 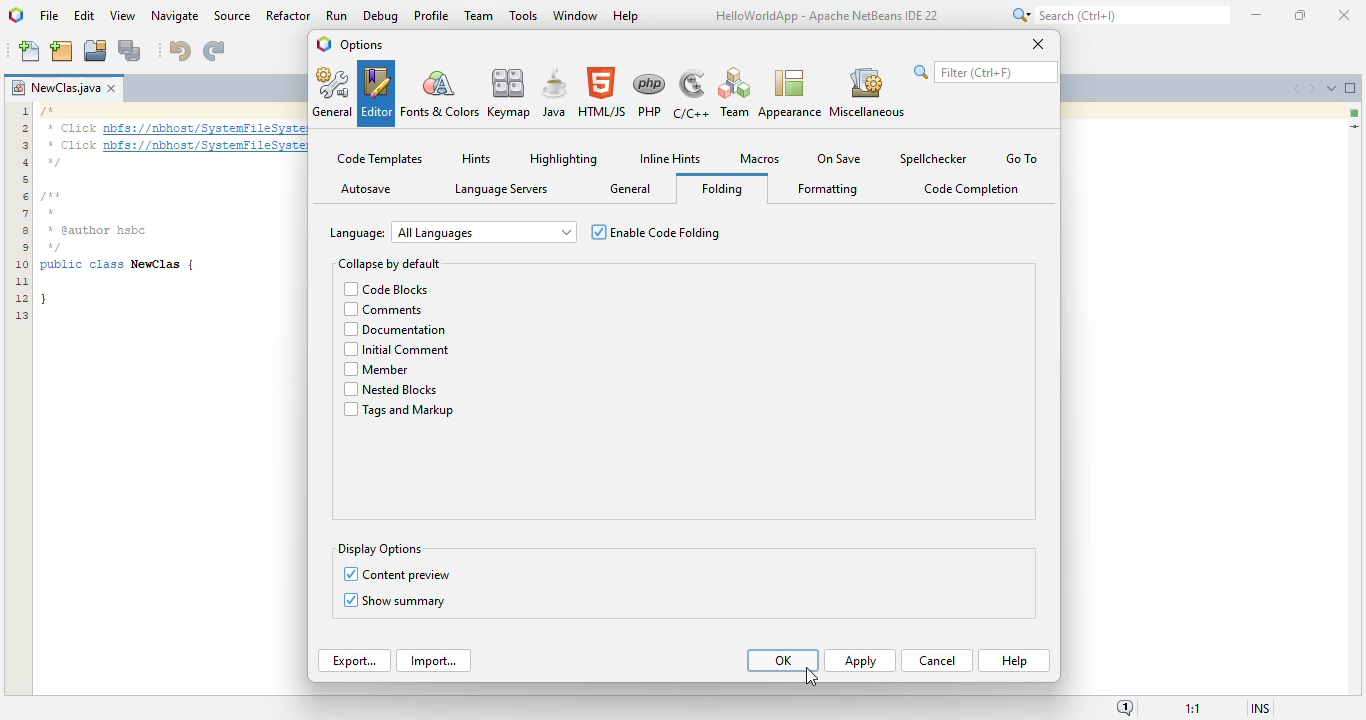 I want to click on Cursor, so click(x=808, y=673).